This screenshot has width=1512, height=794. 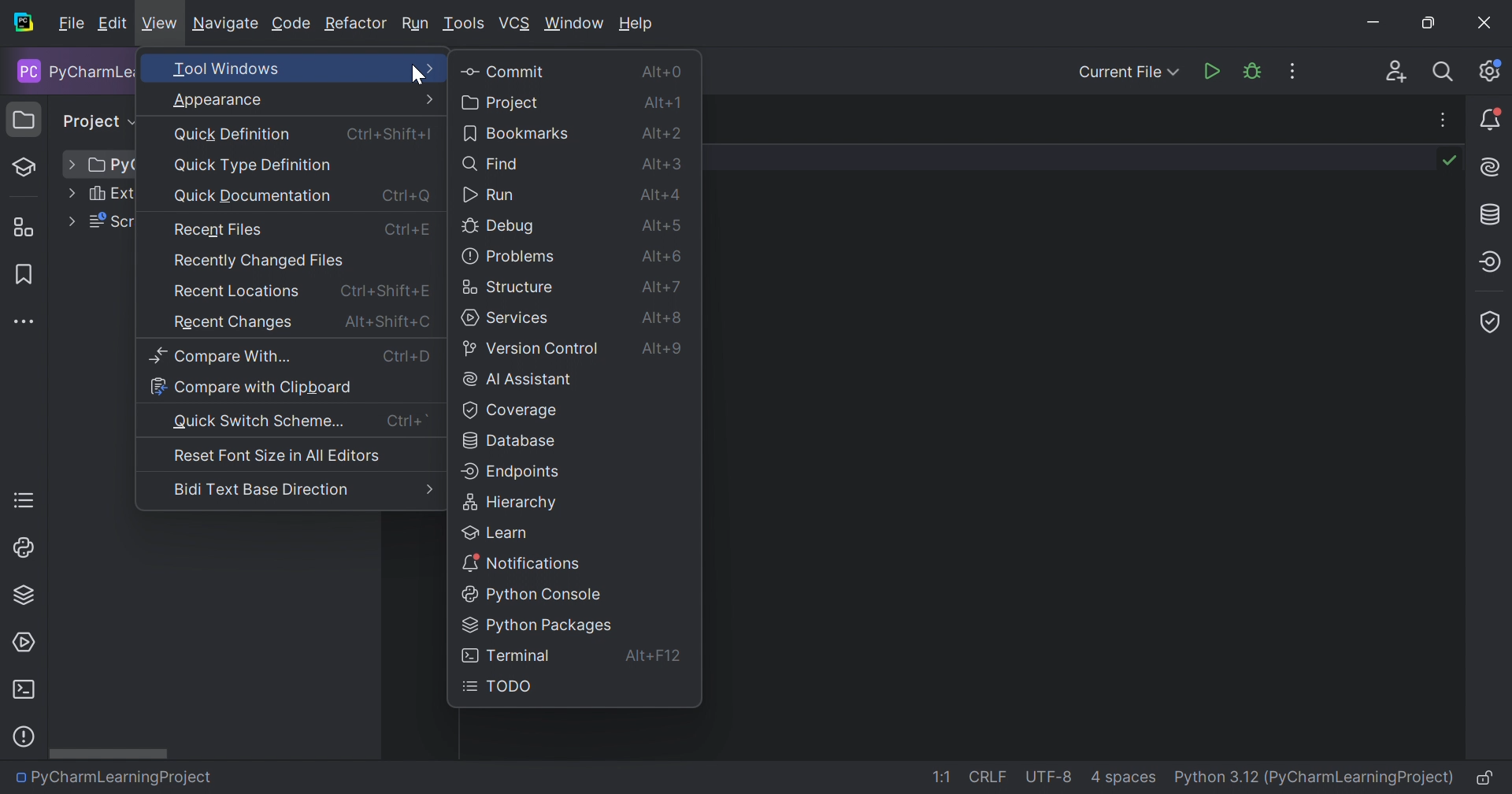 I want to click on Recent Files, so click(x=219, y=230).